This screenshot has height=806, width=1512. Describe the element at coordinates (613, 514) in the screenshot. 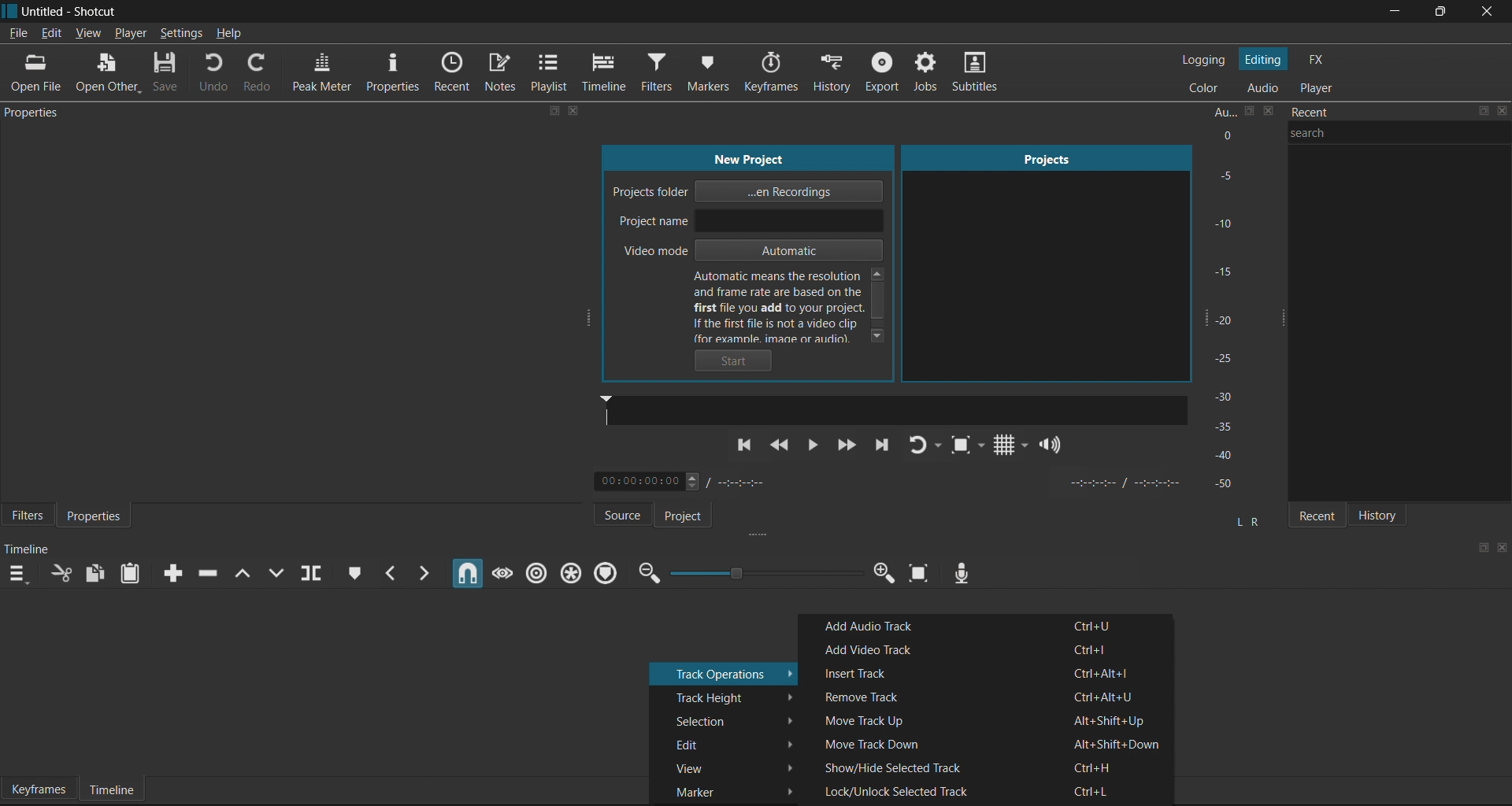

I see `Source` at that location.